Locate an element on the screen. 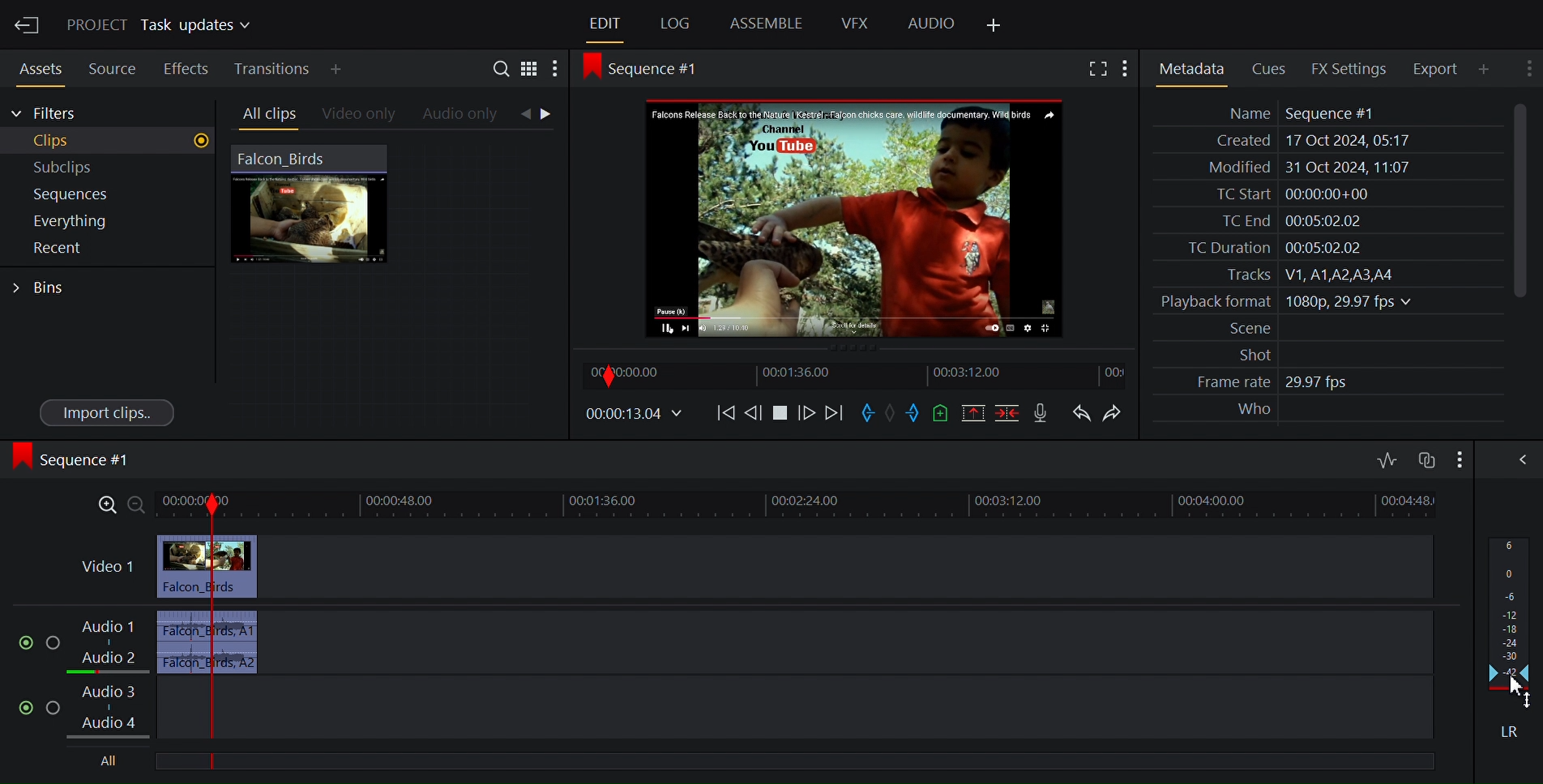 The width and height of the screenshot is (1543, 784). Assemble is located at coordinates (765, 24).